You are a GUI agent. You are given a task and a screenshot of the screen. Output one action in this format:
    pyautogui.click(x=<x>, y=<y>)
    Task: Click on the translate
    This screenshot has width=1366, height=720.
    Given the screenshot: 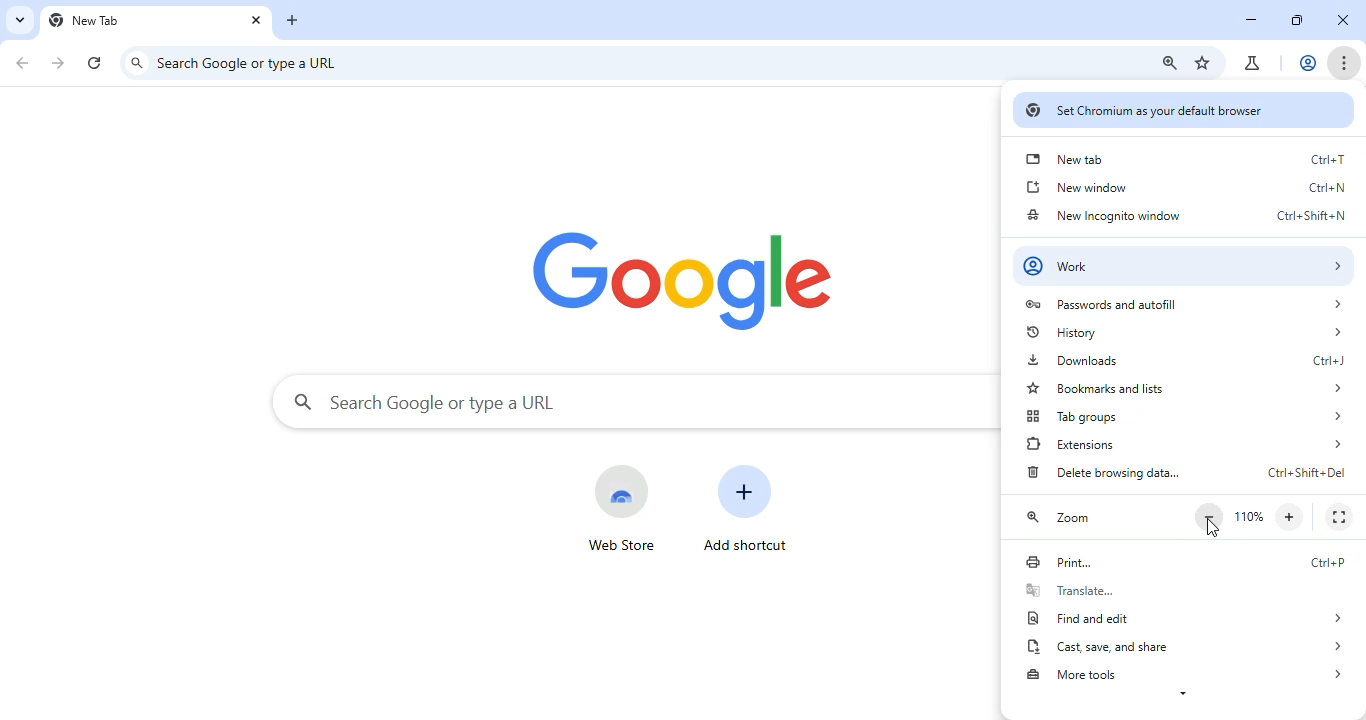 What is the action you would take?
    pyautogui.click(x=1183, y=590)
    